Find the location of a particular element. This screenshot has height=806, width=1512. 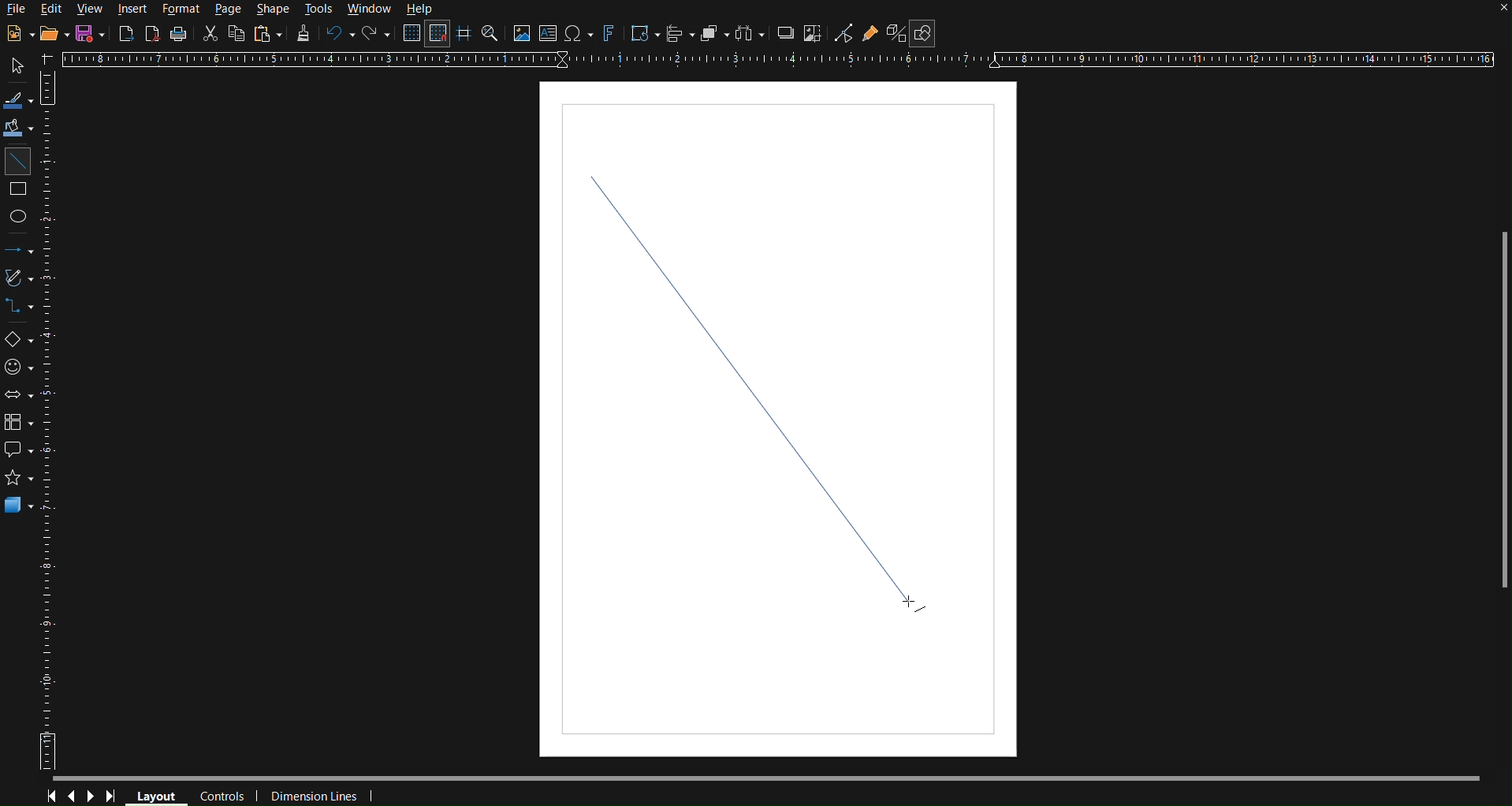

cursor is located at coordinates (916, 603).